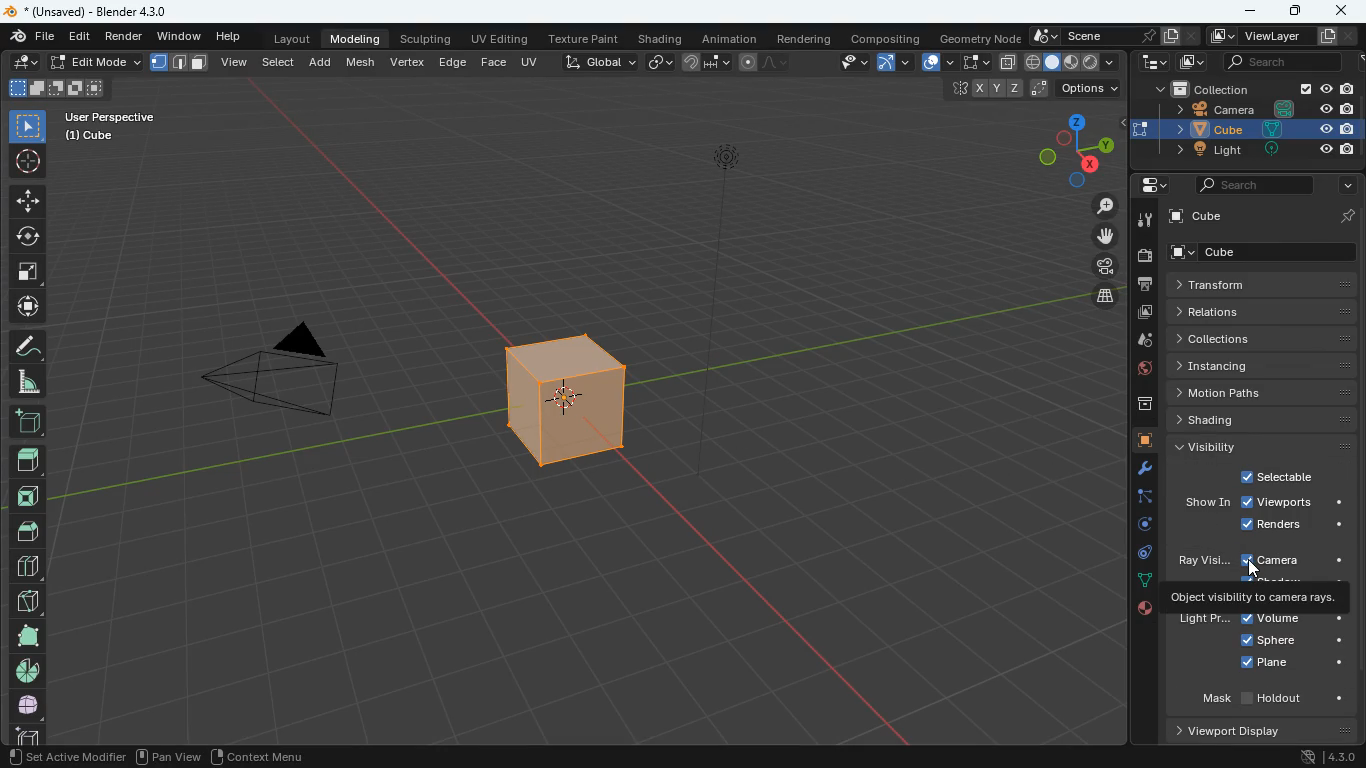 The height and width of the screenshot is (768, 1366). What do you see at coordinates (1201, 561) in the screenshot?
I see `ray vision` at bounding box center [1201, 561].